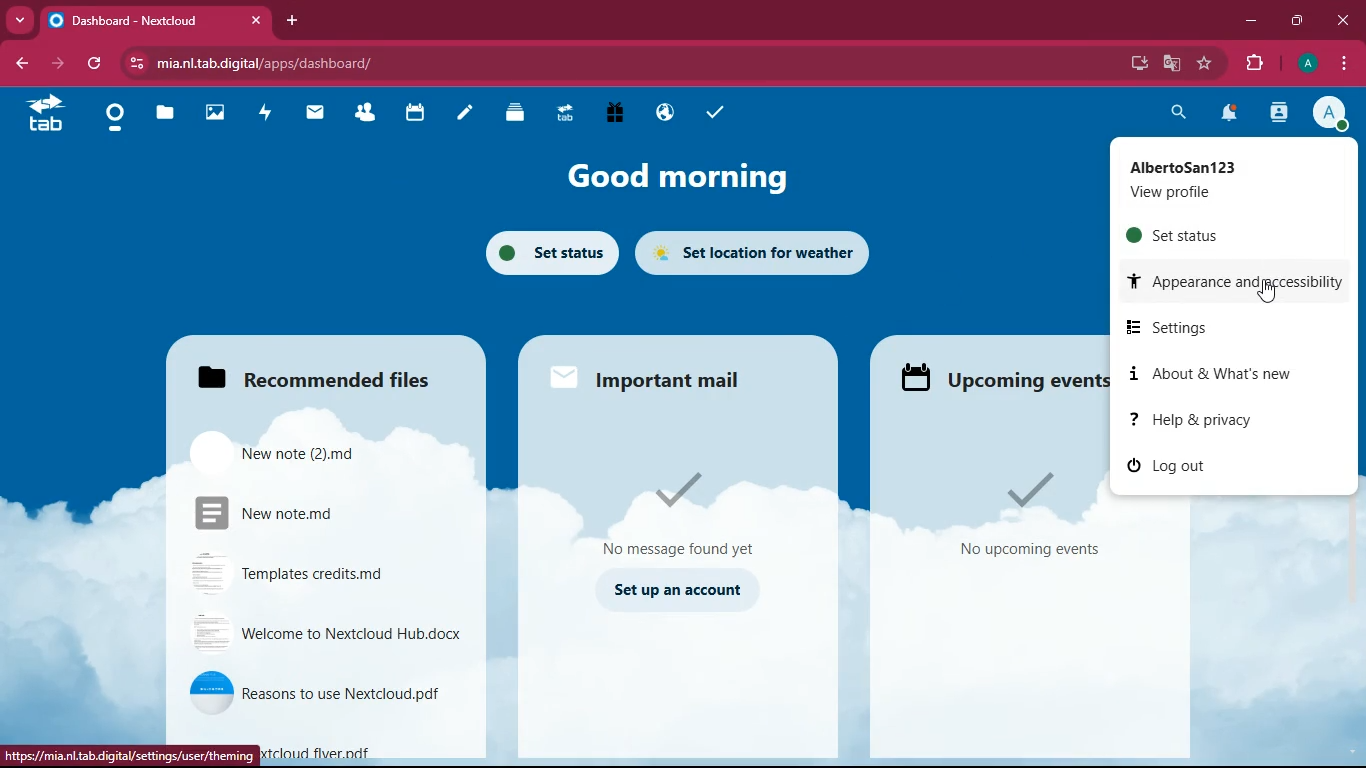 This screenshot has height=768, width=1366. I want to click on activity, so click(270, 114).